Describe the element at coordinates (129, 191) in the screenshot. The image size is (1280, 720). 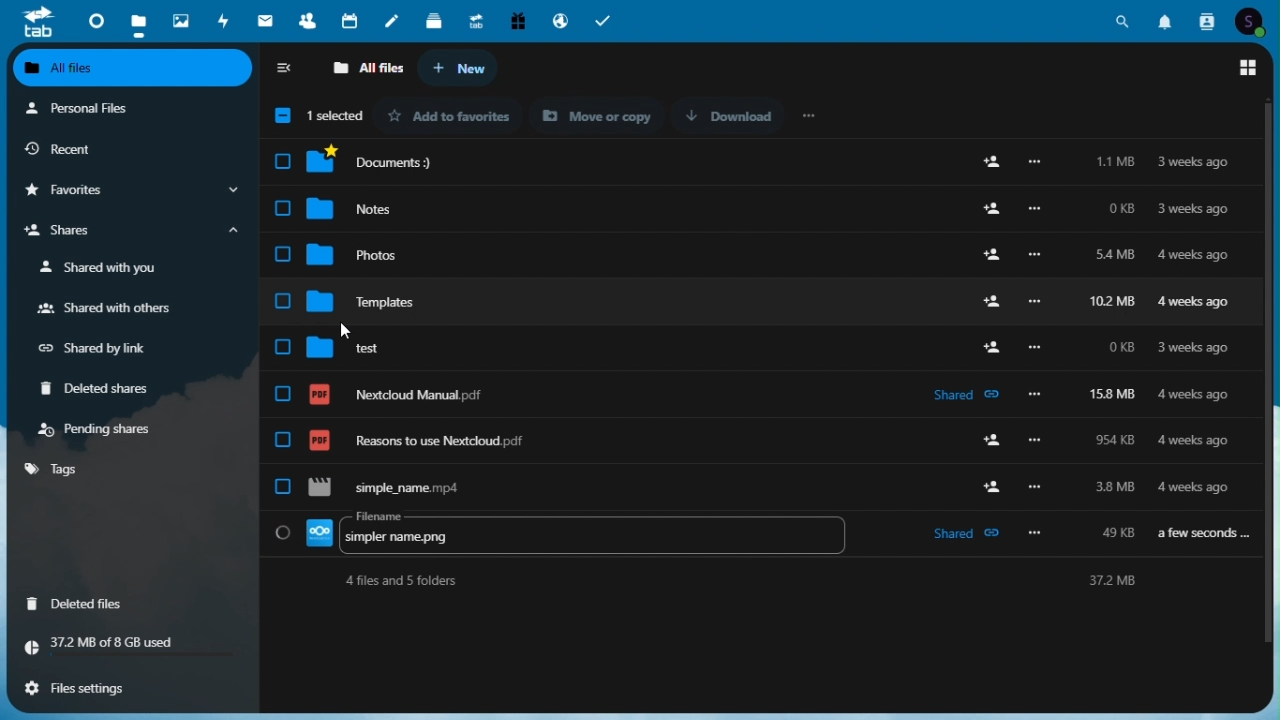
I see `favourites` at that location.